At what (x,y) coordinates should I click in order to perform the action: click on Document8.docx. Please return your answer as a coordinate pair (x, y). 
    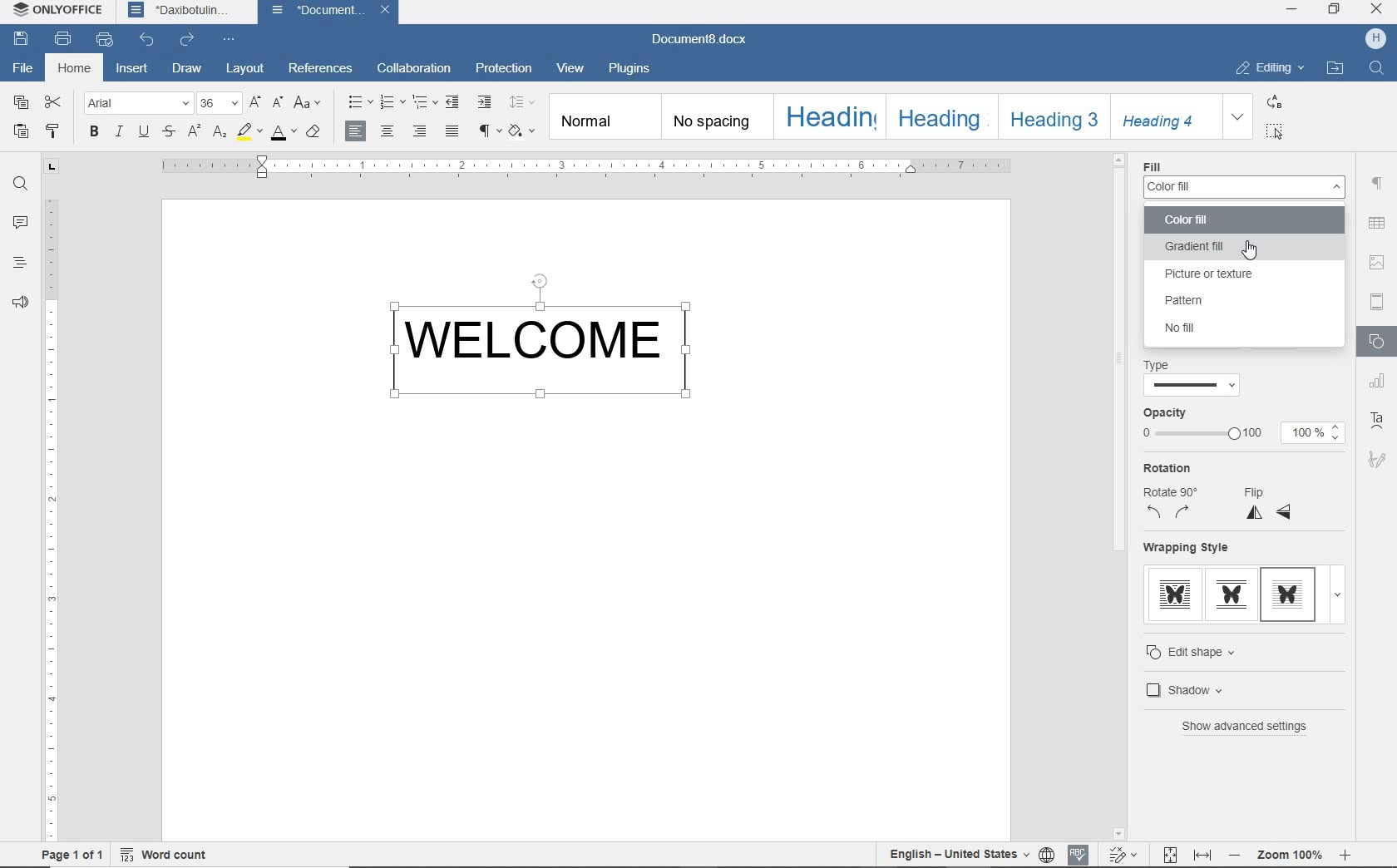
    Looking at the image, I should click on (697, 40).